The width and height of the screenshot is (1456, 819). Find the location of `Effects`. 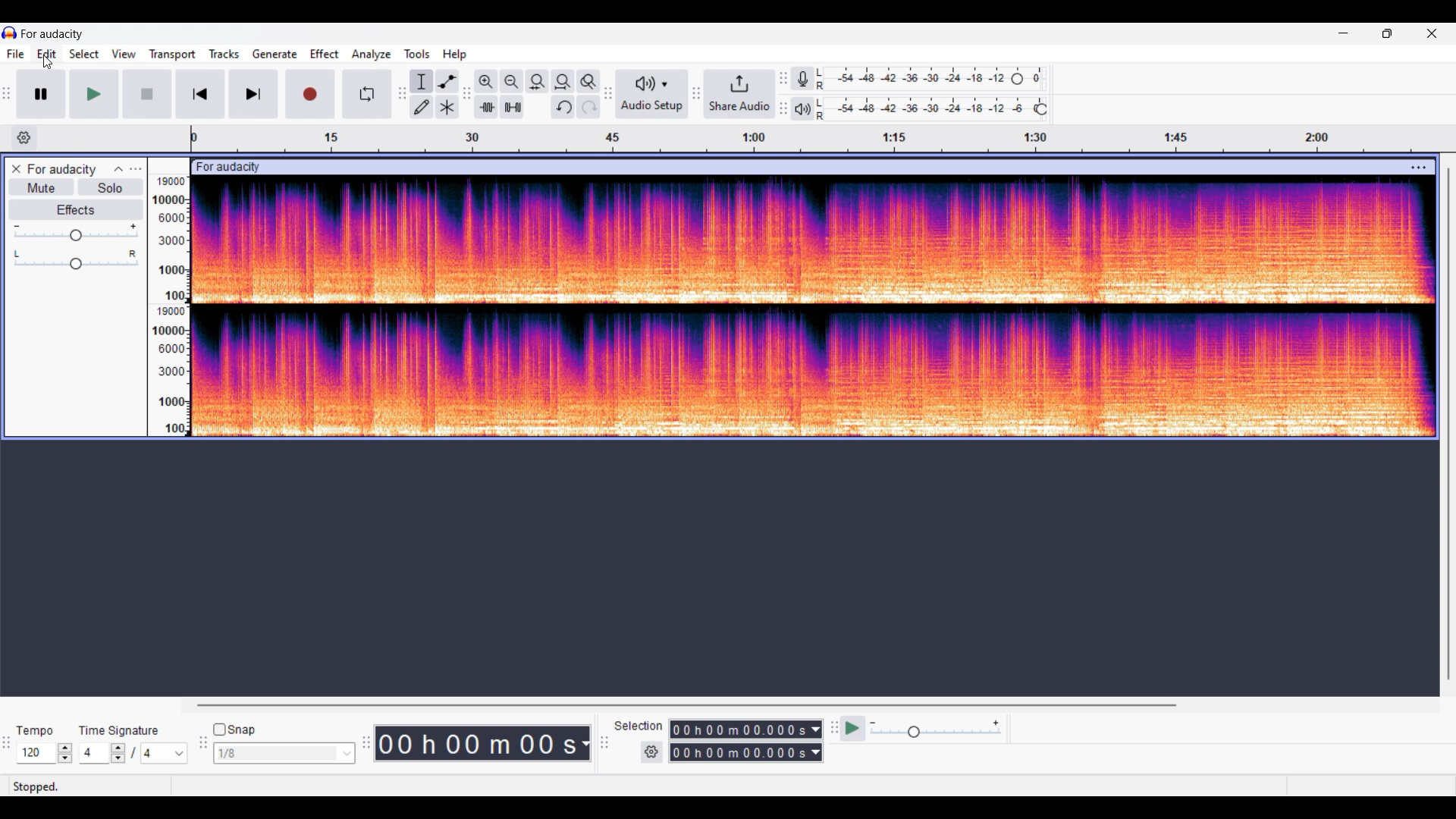

Effects is located at coordinates (75, 210).